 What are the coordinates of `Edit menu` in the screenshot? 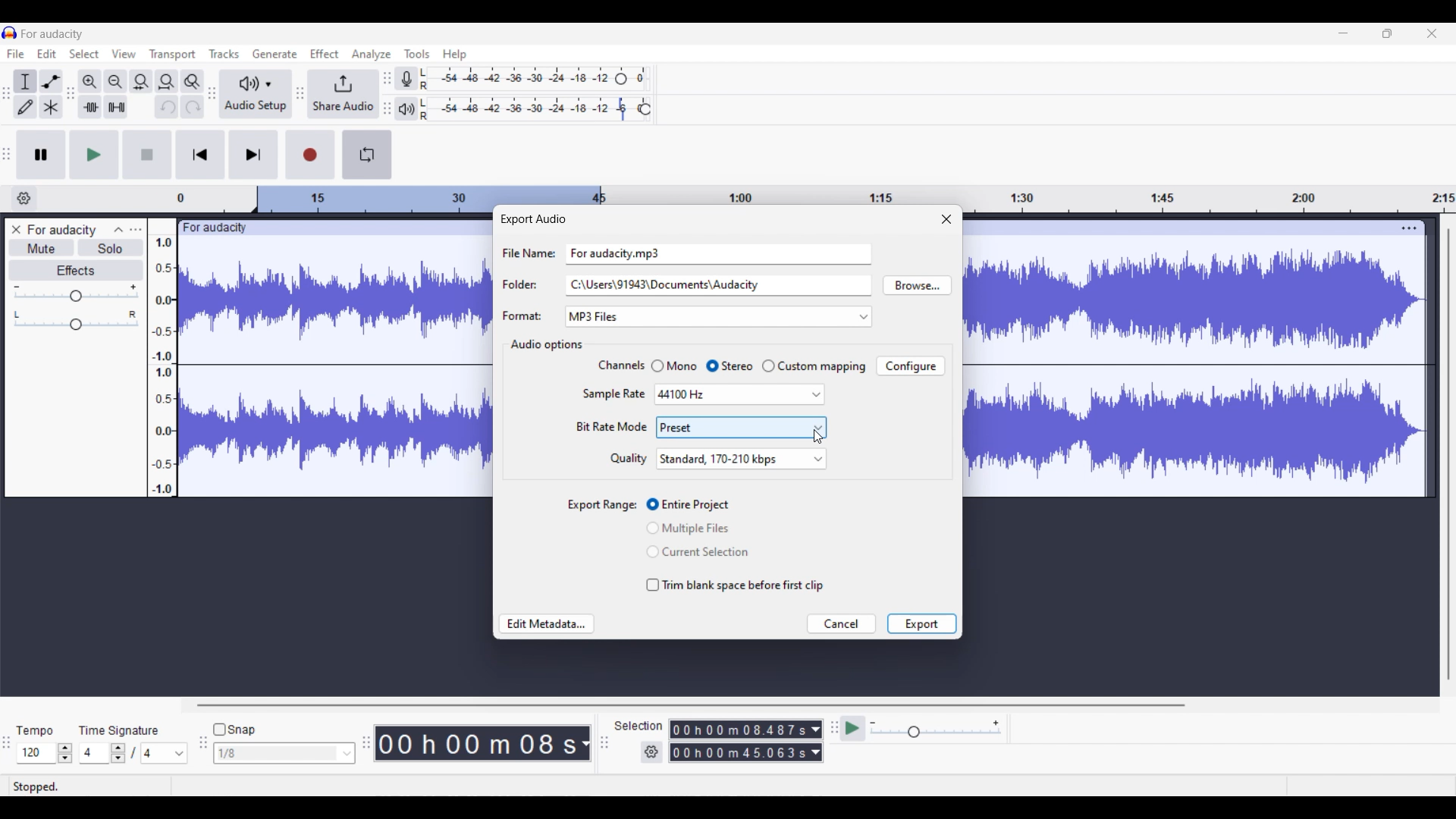 It's located at (46, 54).